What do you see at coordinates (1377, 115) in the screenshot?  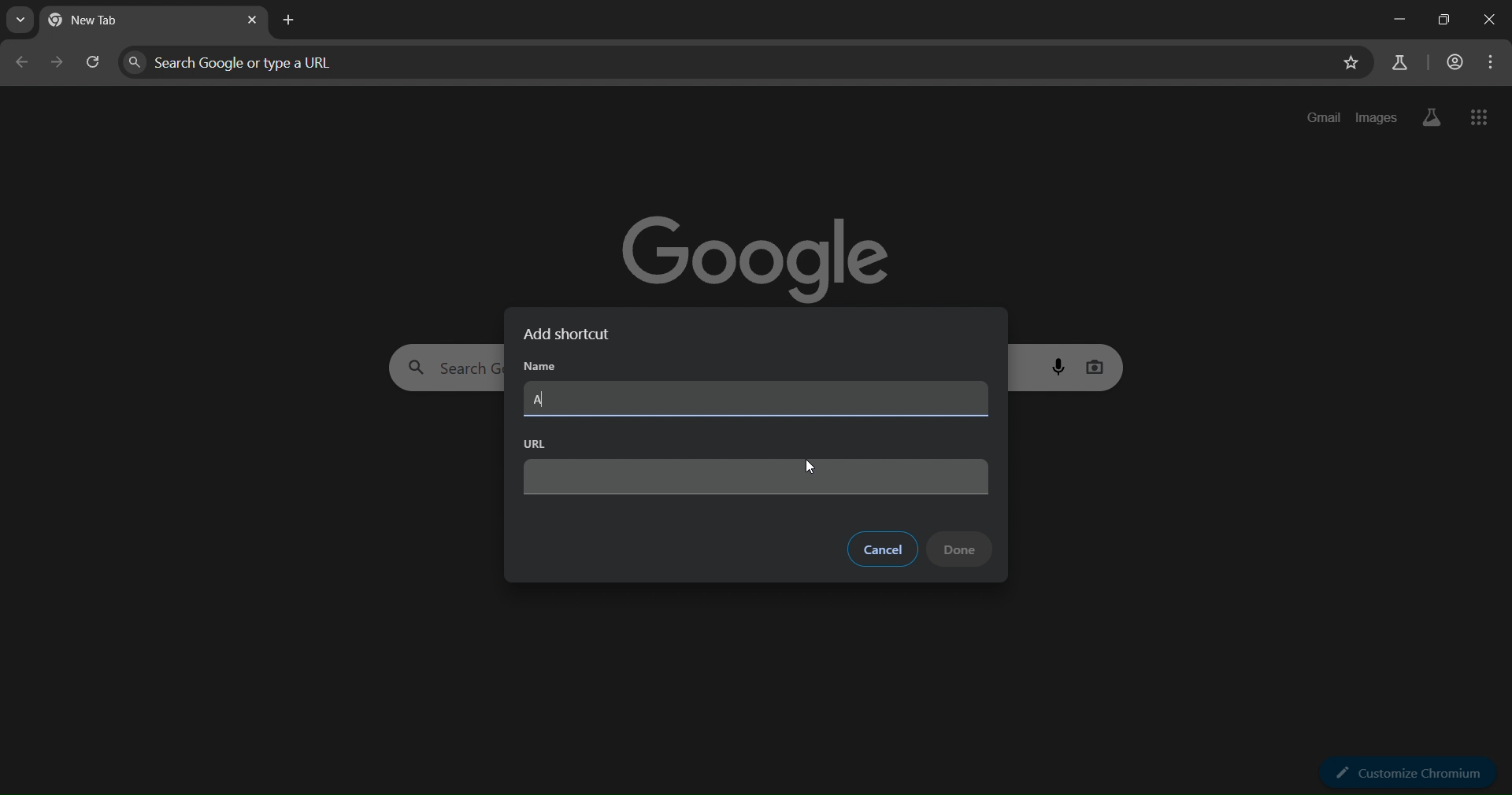 I see `images` at bounding box center [1377, 115].